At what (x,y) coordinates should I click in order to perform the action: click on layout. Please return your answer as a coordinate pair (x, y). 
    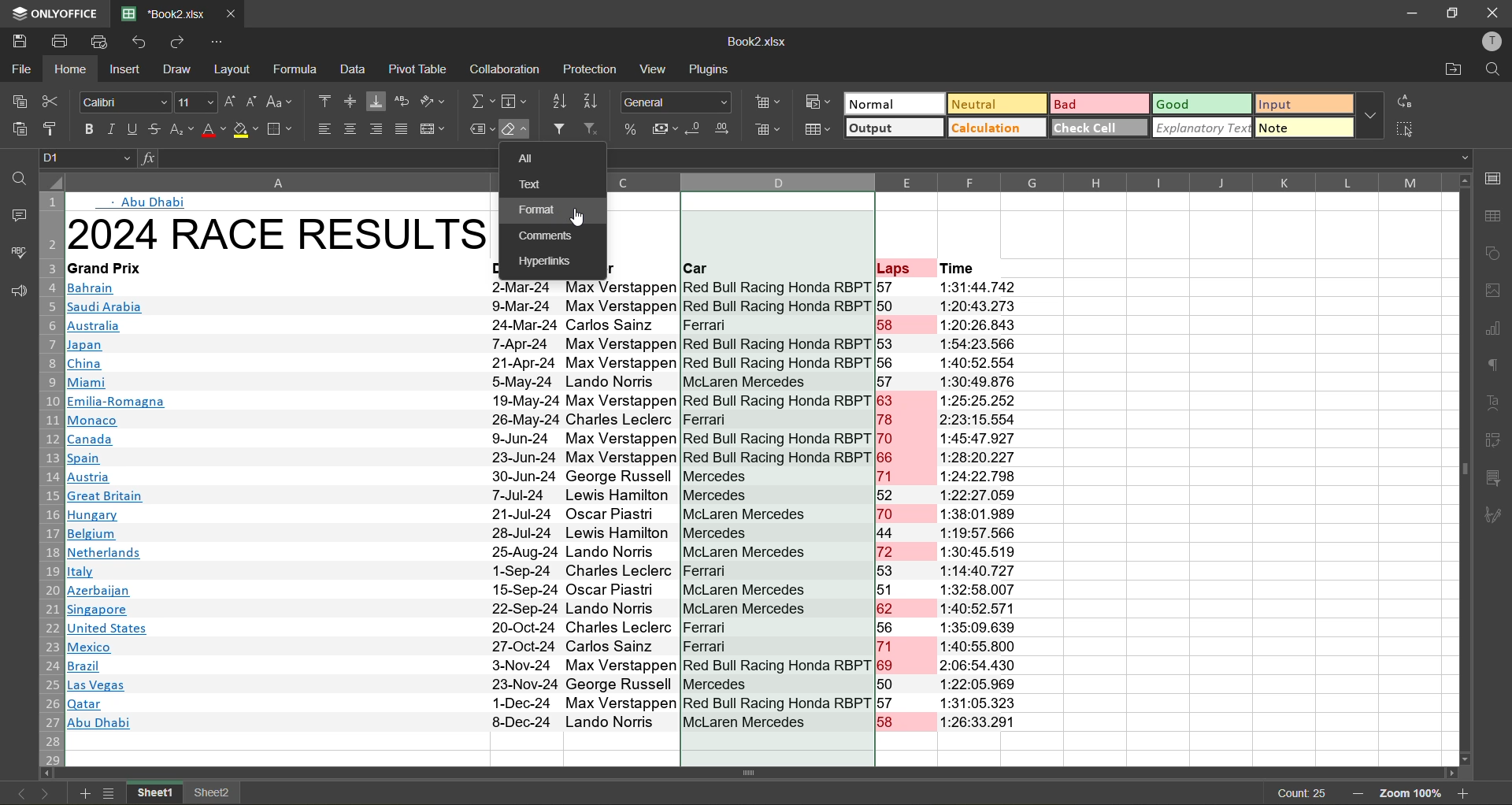
    Looking at the image, I should click on (235, 69).